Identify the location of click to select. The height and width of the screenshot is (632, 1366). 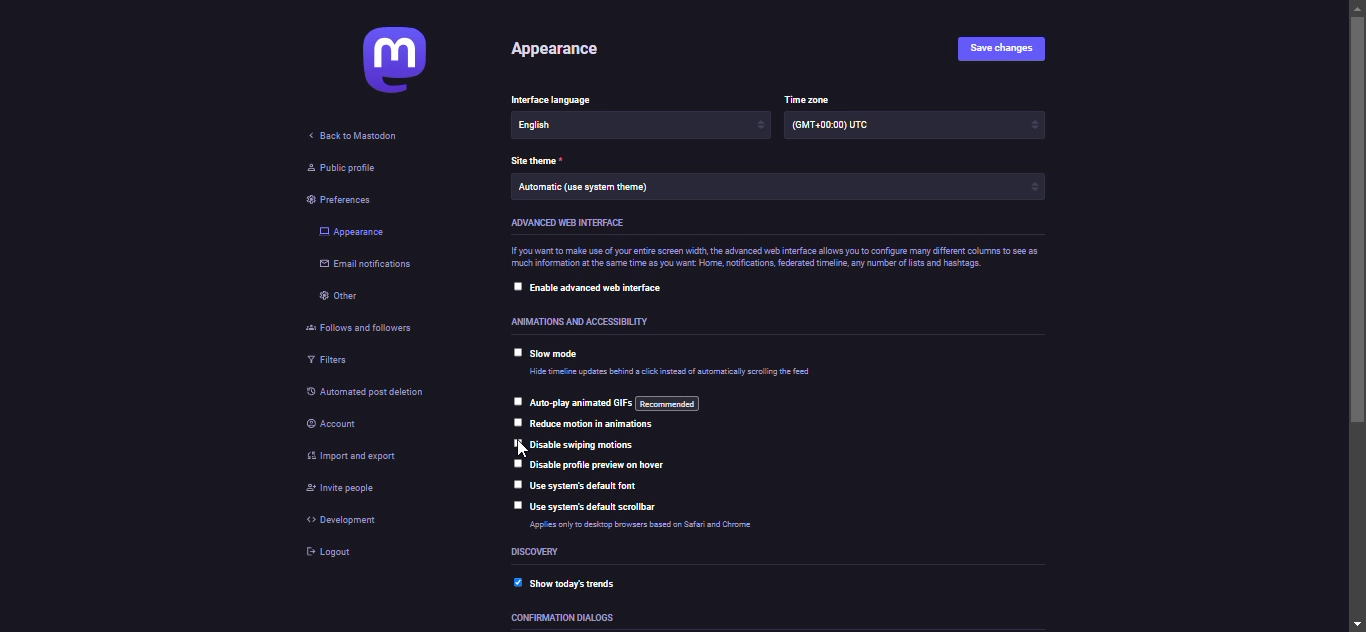
(514, 441).